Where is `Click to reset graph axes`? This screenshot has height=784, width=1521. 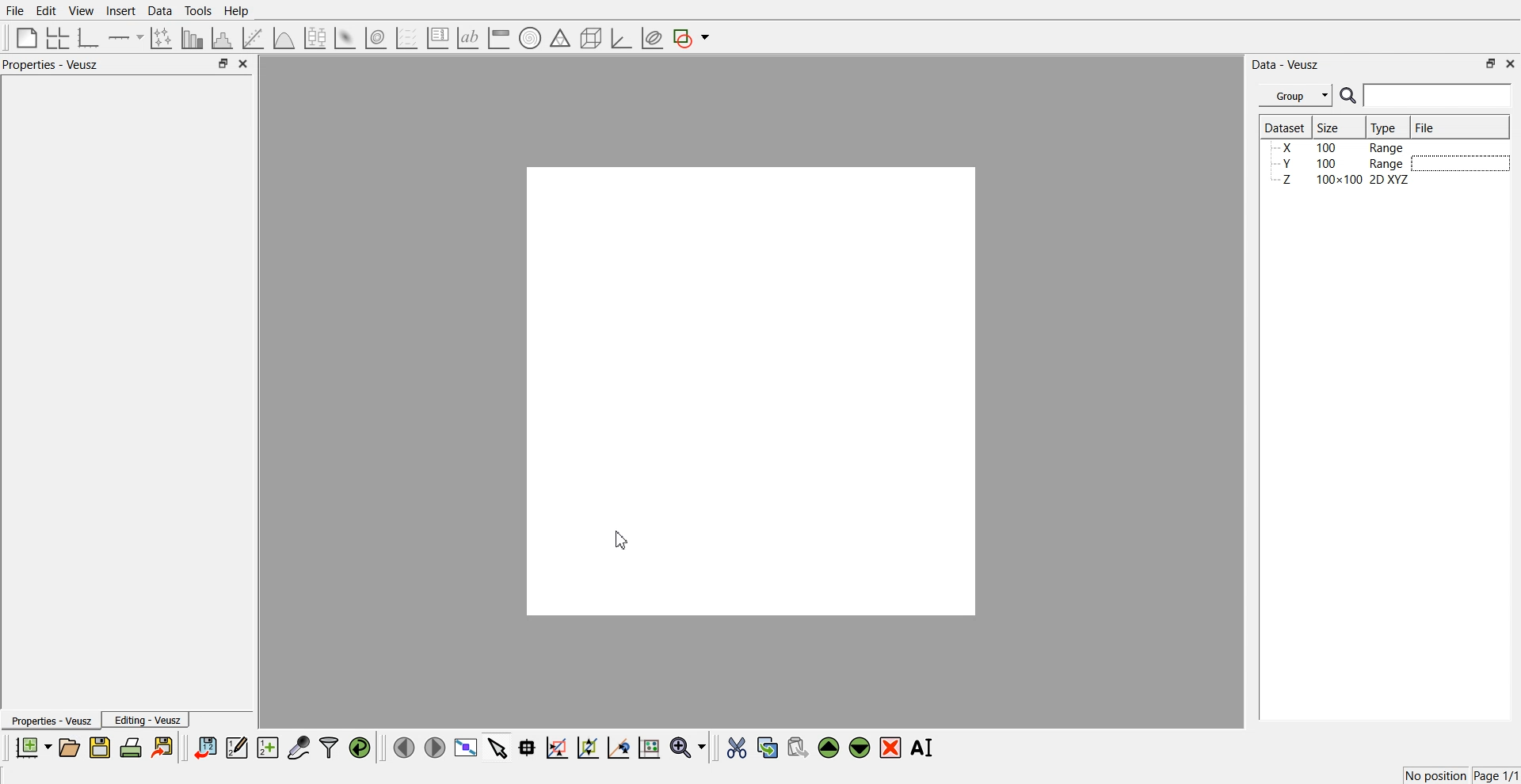
Click to reset graph axes is located at coordinates (649, 746).